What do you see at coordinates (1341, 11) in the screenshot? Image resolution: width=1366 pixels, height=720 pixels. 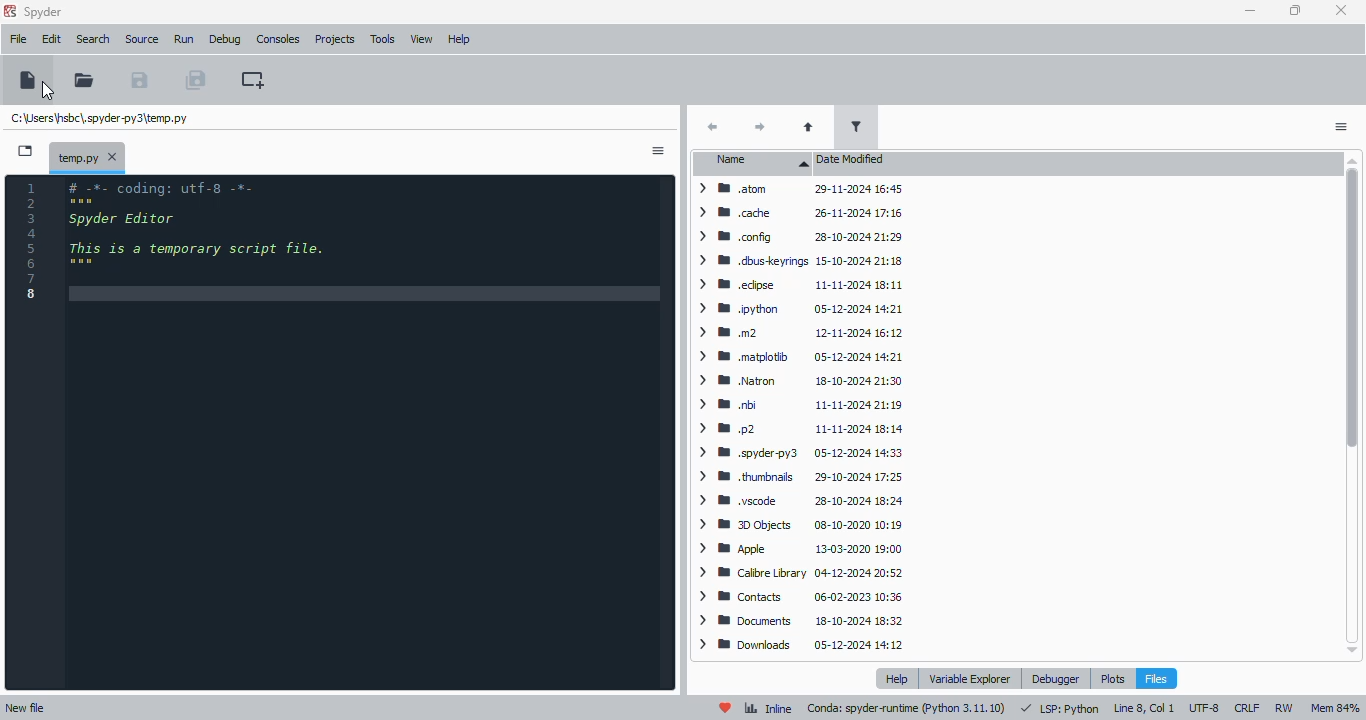 I see `close` at bounding box center [1341, 11].